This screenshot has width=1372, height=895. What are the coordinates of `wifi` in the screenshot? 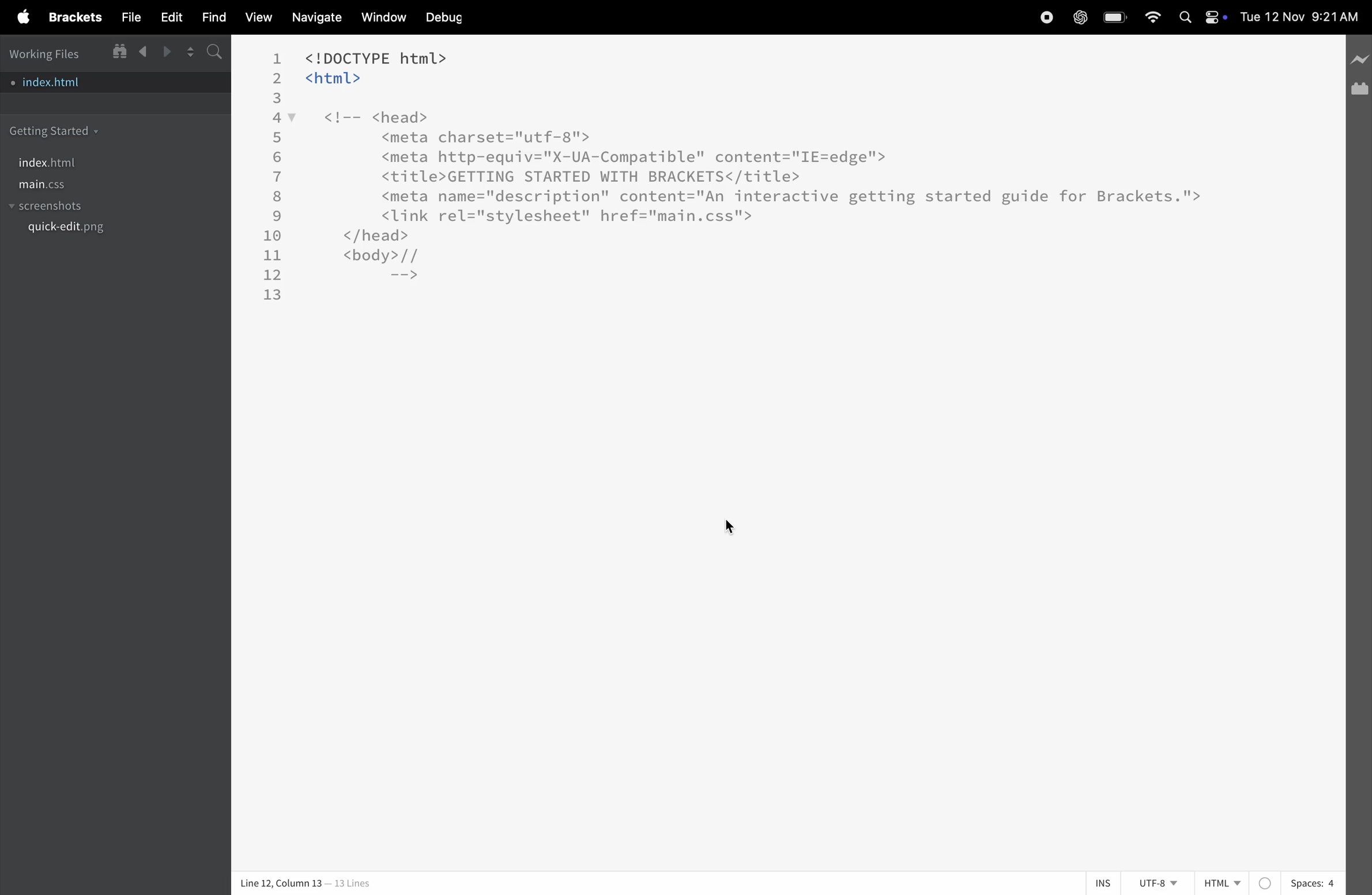 It's located at (1150, 16).